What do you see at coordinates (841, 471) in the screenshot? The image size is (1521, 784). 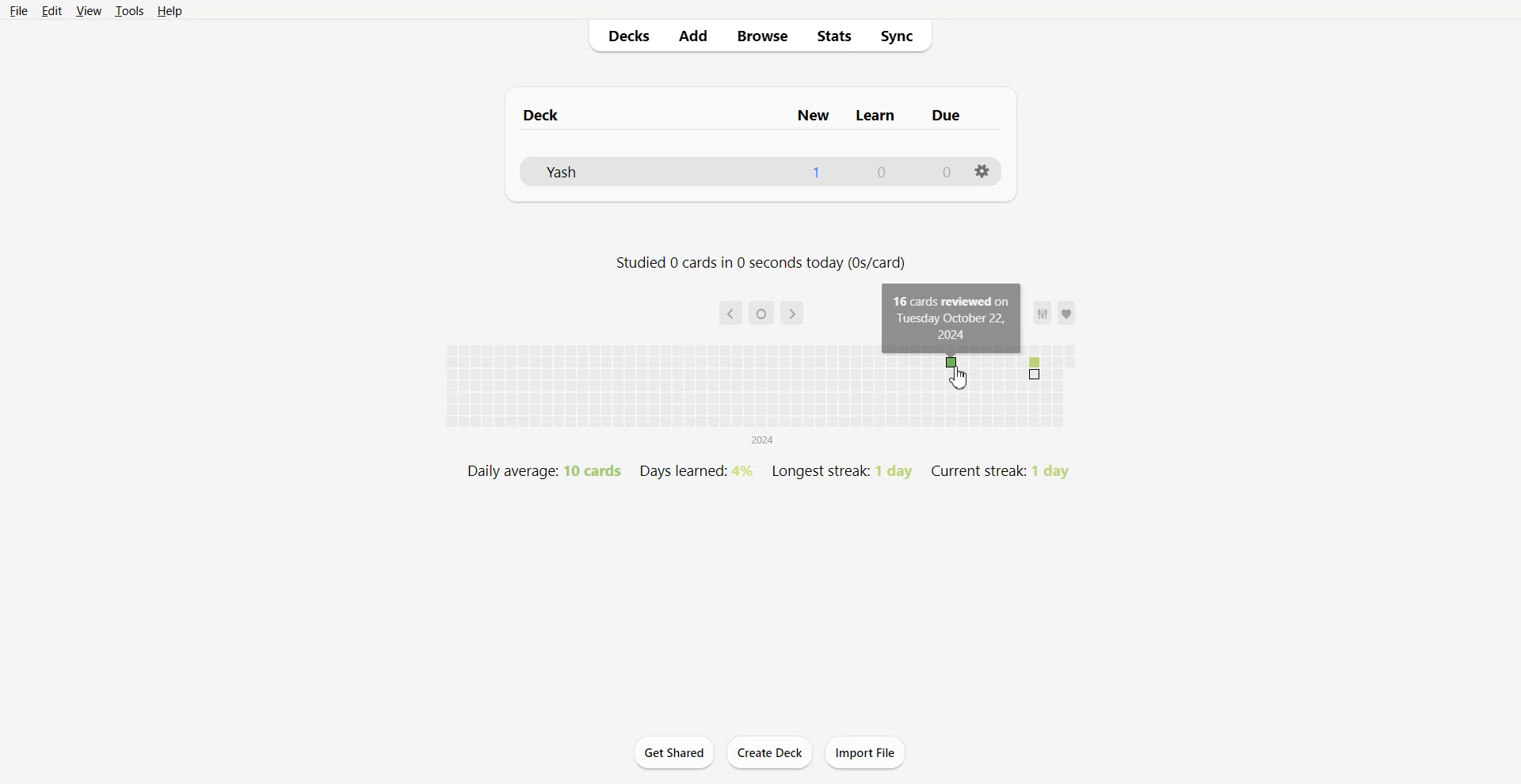 I see `longest streak: 1 day` at bounding box center [841, 471].